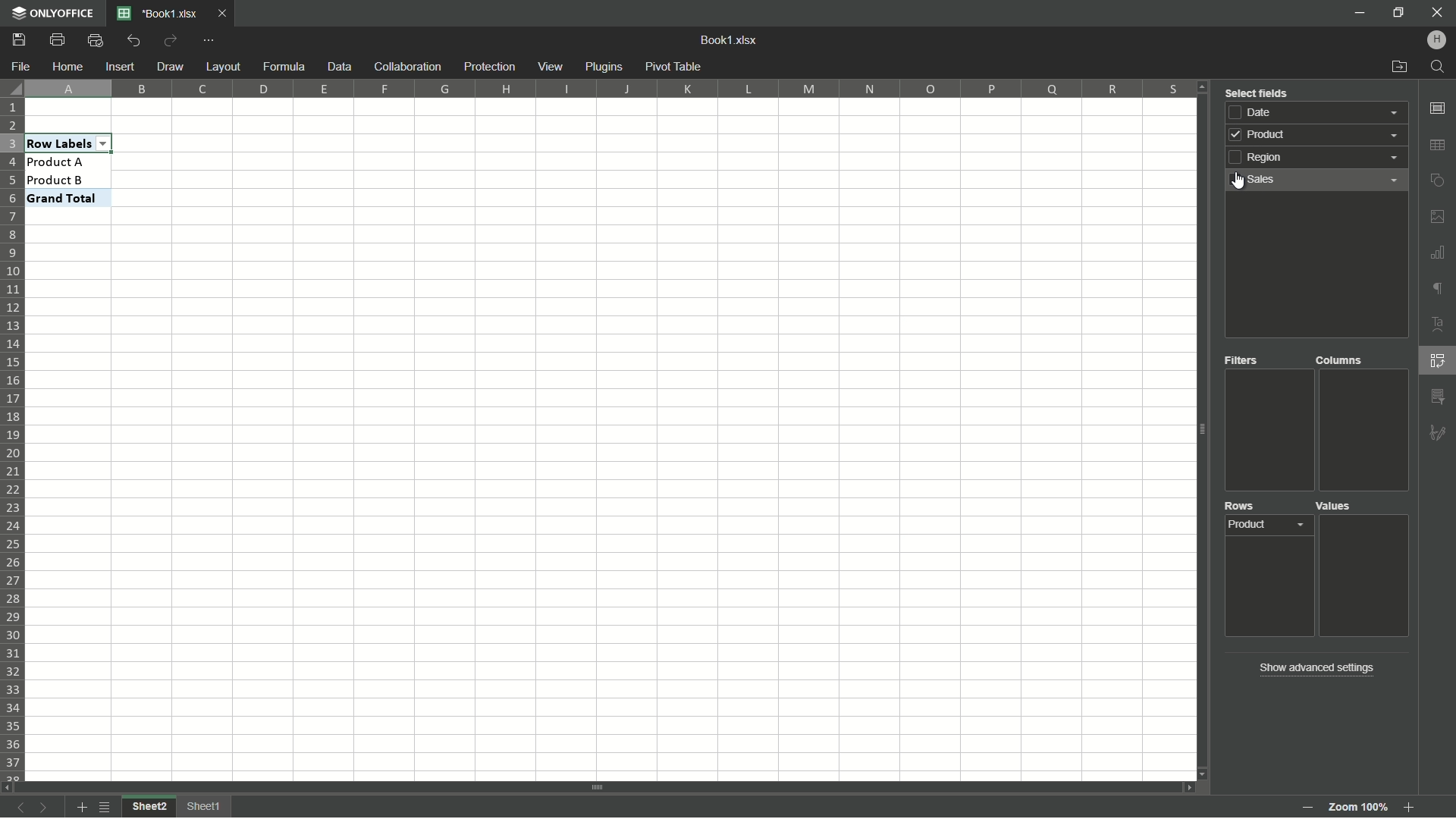 Image resolution: width=1456 pixels, height=819 pixels. What do you see at coordinates (1357, 803) in the screenshot?
I see `zoom 100%` at bounding box center [1357, 803].